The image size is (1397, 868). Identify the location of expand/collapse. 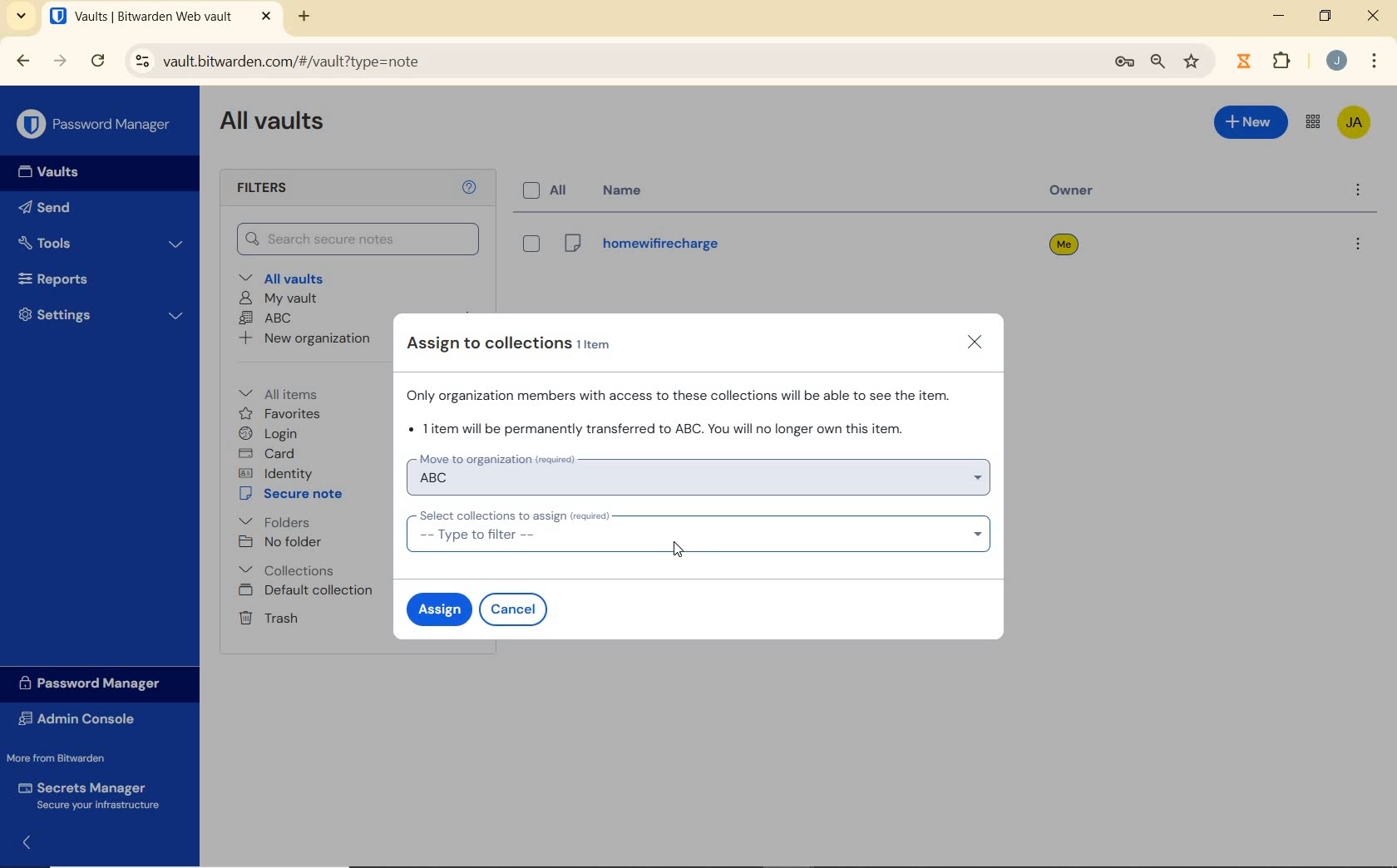
(22, 846).